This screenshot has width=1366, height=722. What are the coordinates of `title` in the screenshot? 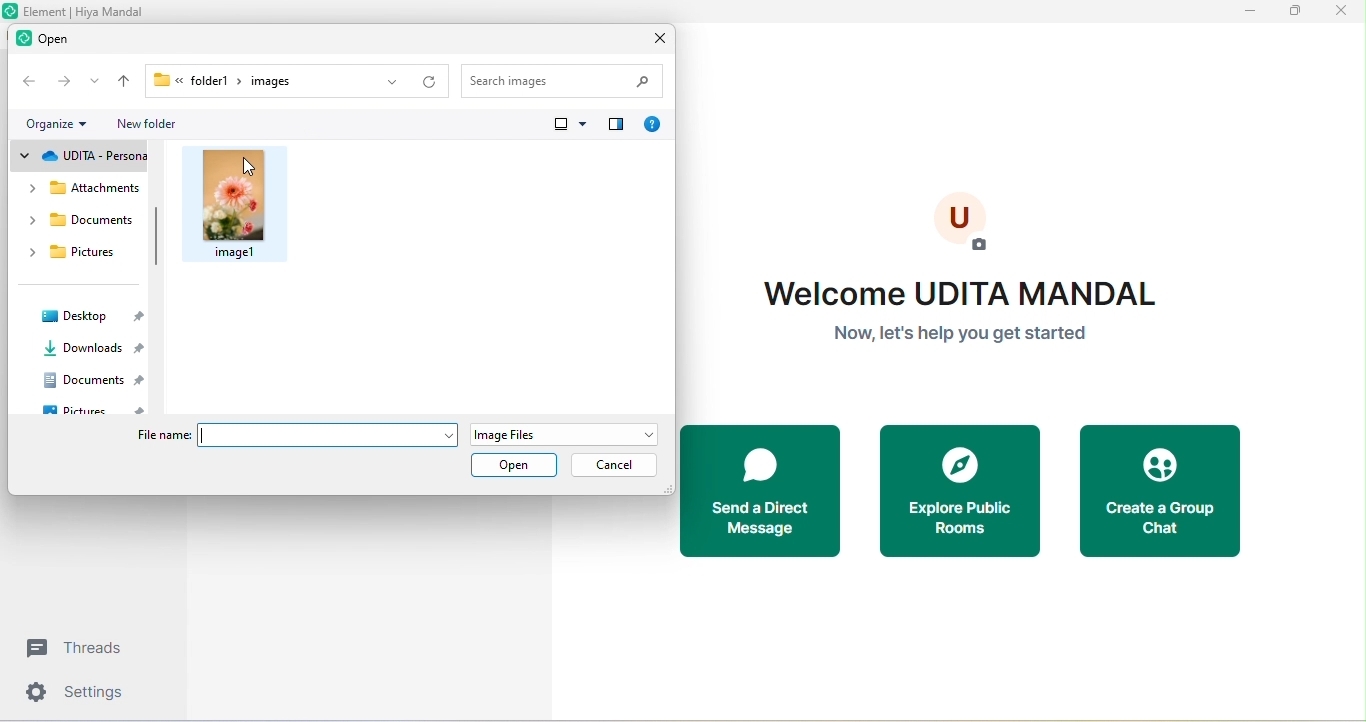 It's located at (78, 11).